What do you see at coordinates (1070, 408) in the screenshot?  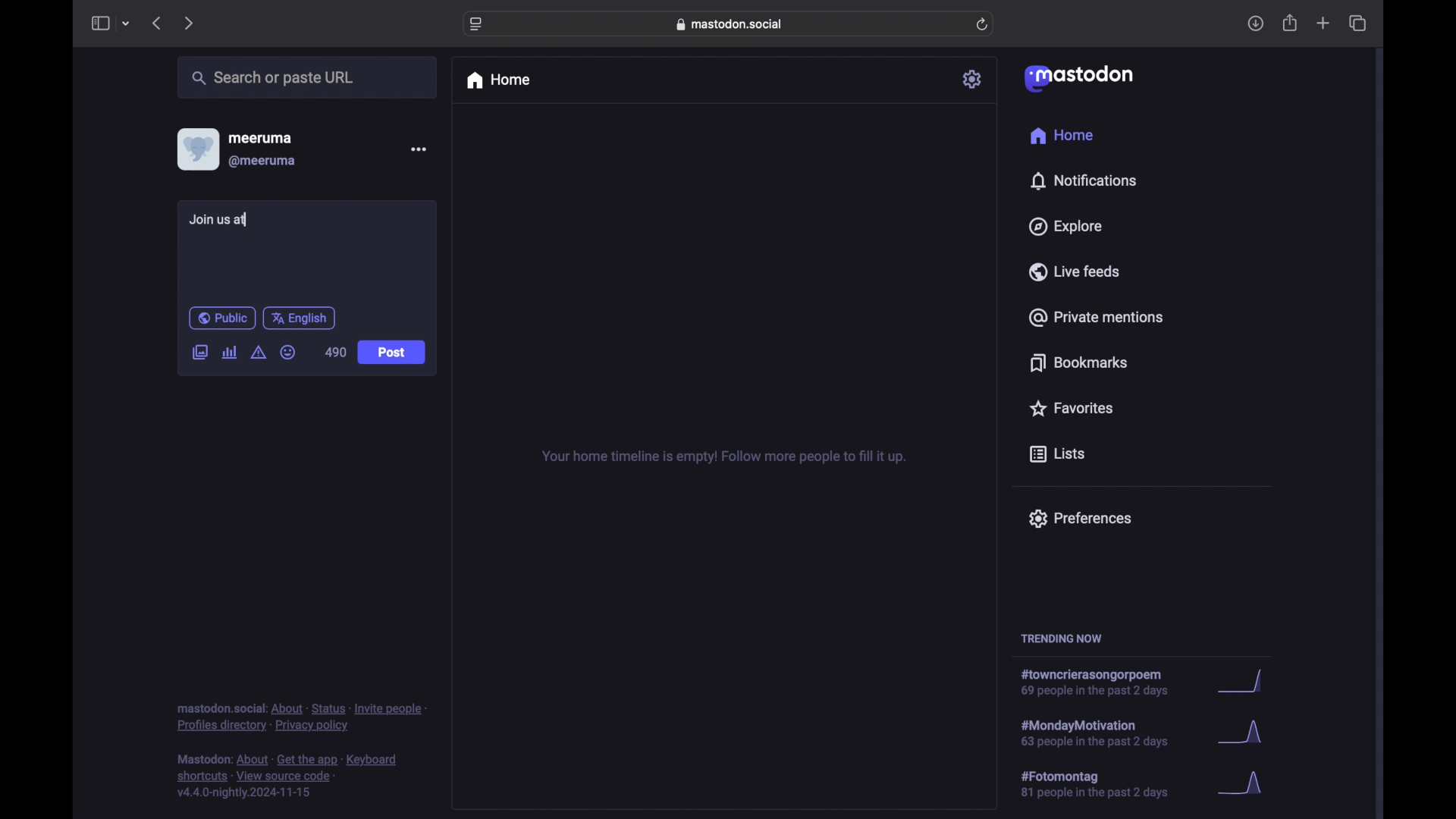 I see `favorites` at bounding box center [1070, 408].